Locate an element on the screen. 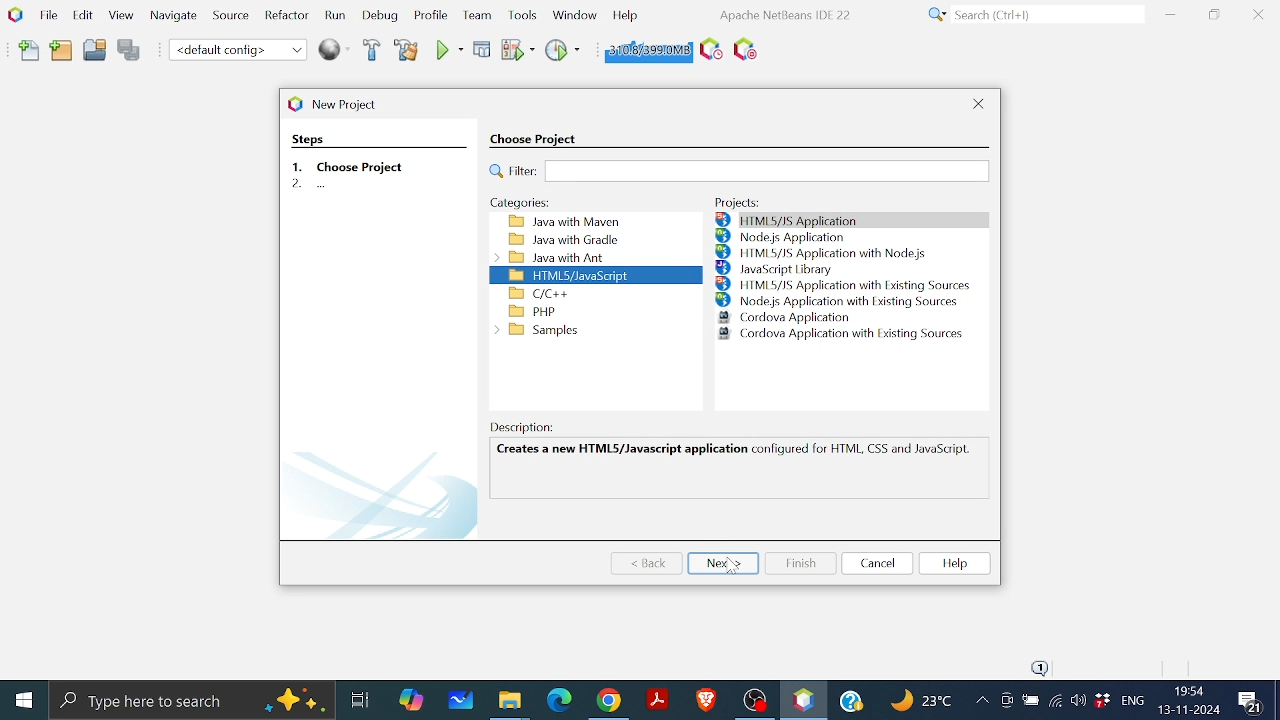 The height and width of the screenshot is (720, 1280). Save all is located at coordinates (129, 51).